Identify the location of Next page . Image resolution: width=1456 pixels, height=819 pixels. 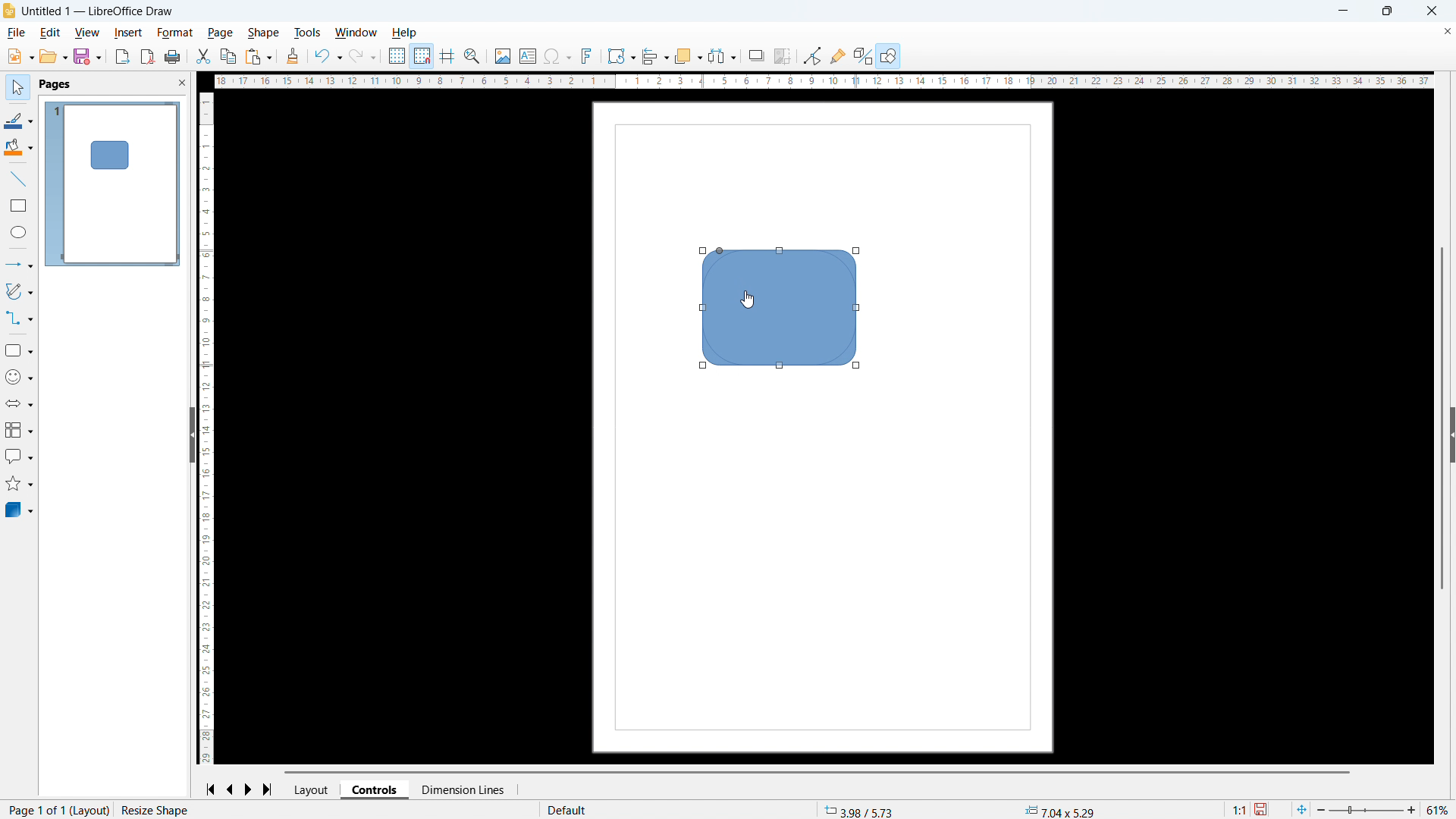
(249, 790).